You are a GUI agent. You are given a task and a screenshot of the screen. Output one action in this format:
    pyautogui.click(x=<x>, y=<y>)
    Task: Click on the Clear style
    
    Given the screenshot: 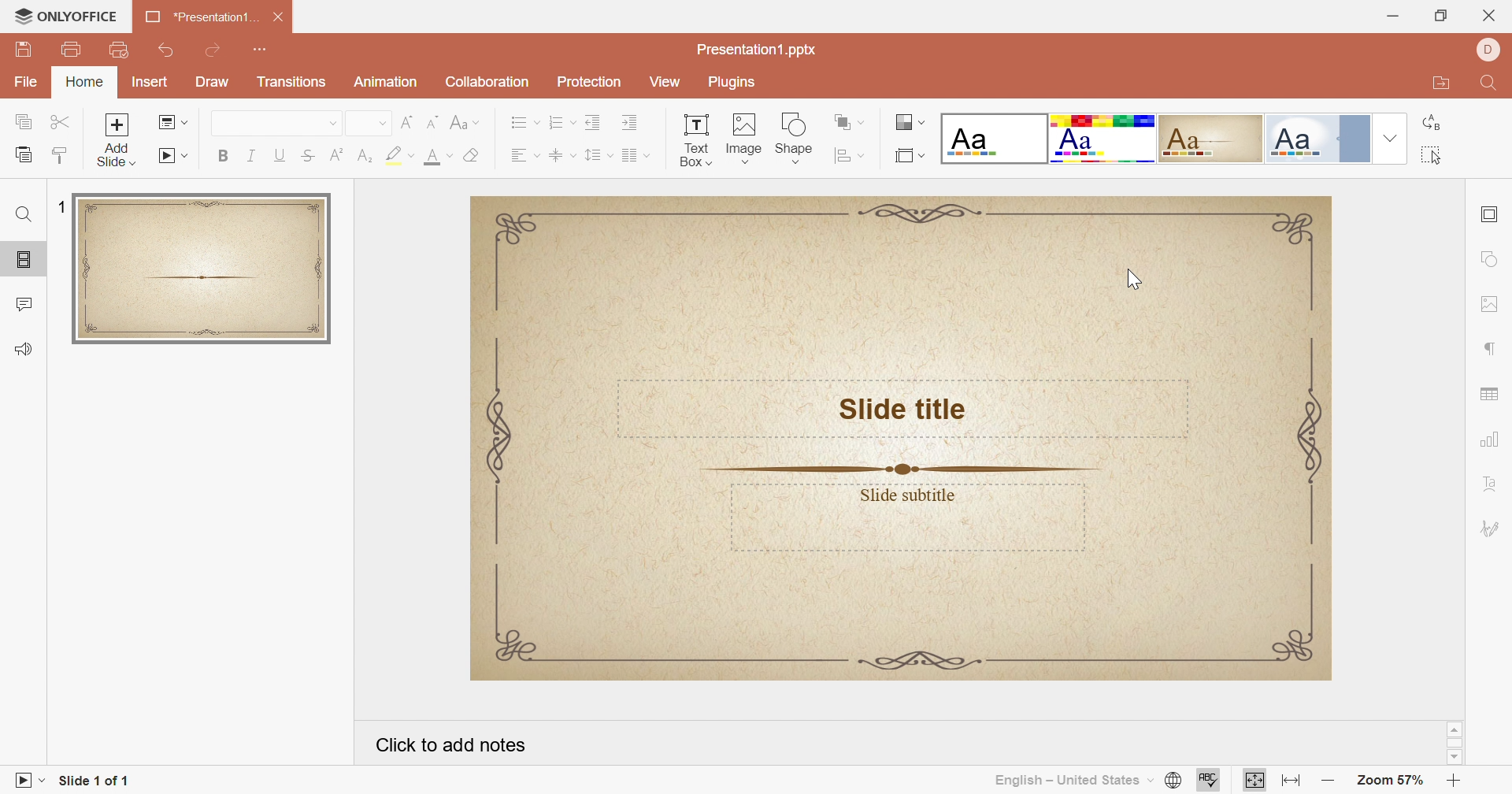 What is the action you would take?
    pyautogui.click(x=473, y=154)
    